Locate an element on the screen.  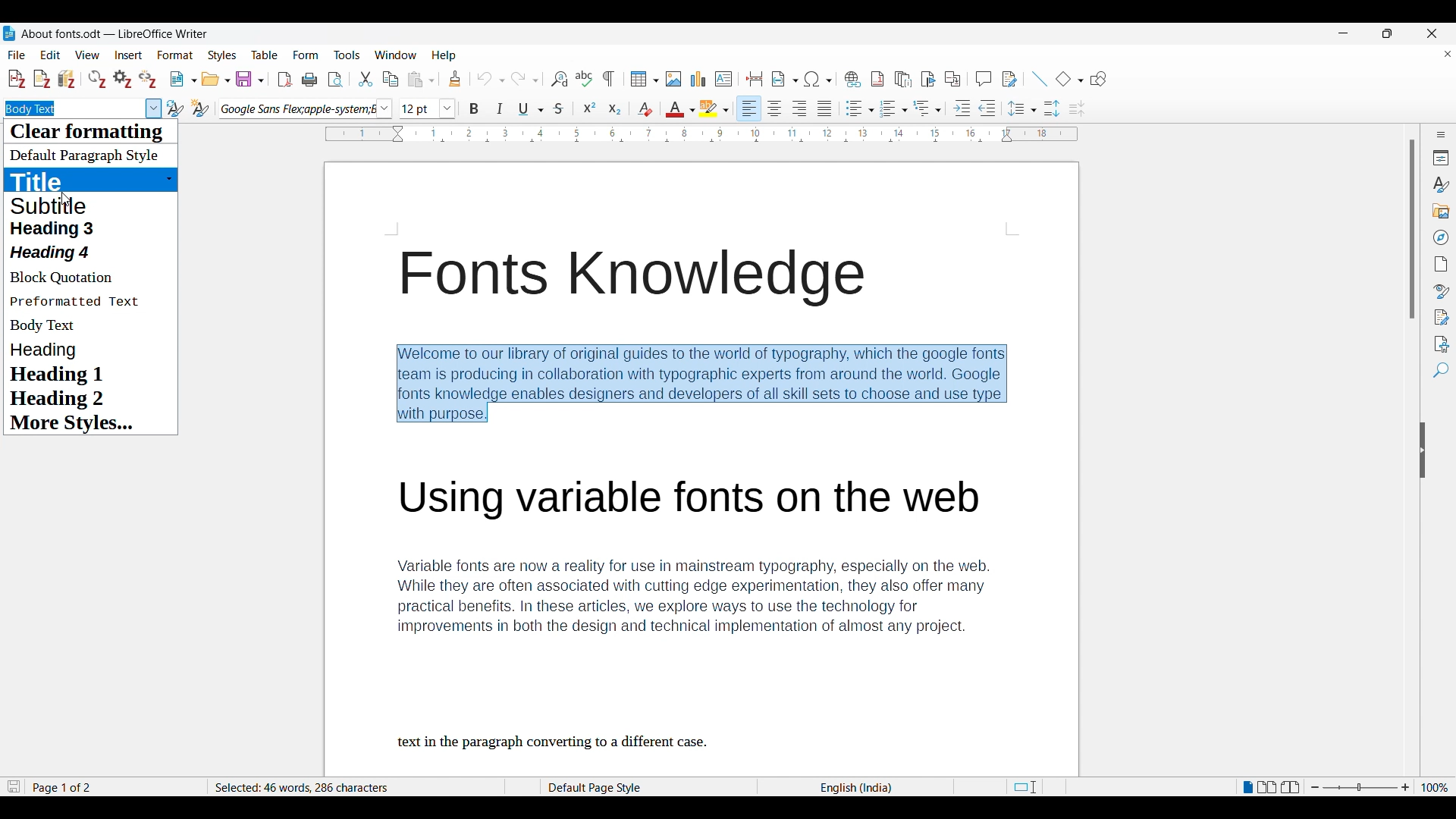
Highlighted is located at coordinates (30, 108).